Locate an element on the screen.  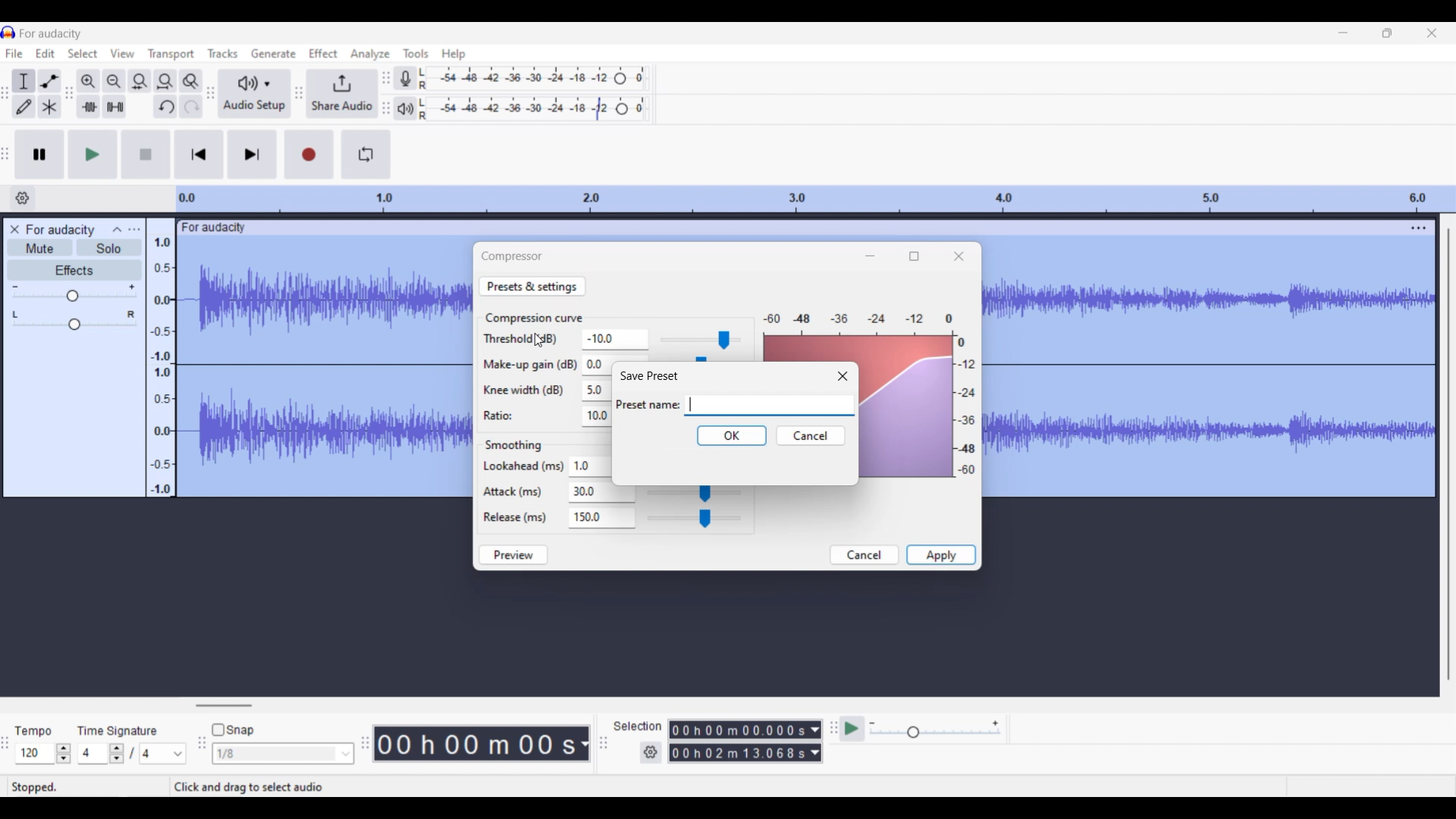
Cancel is located at coordinates (865, 555).